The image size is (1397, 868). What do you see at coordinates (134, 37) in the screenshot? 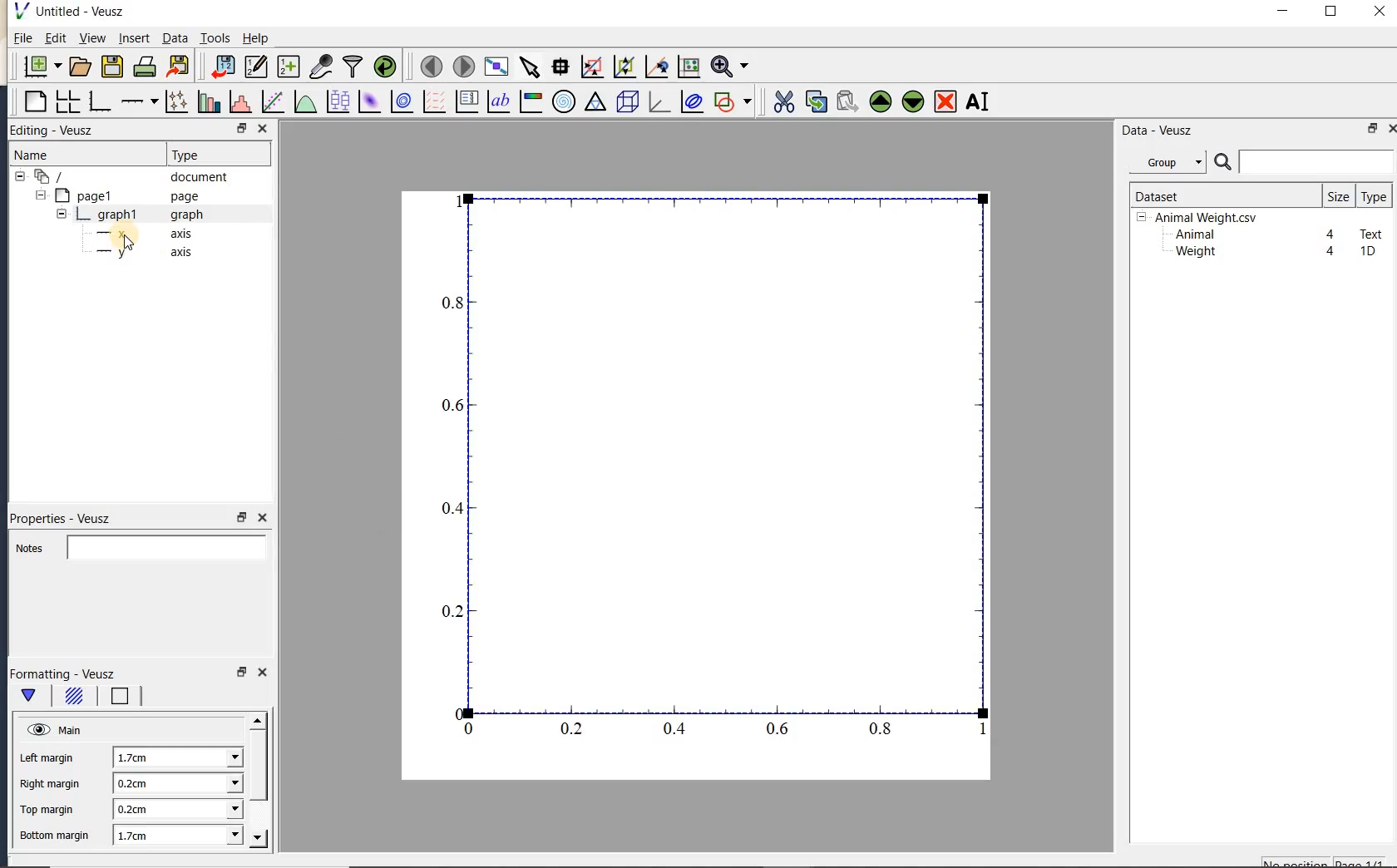
I see `insert` at bounding box center [134, 37].